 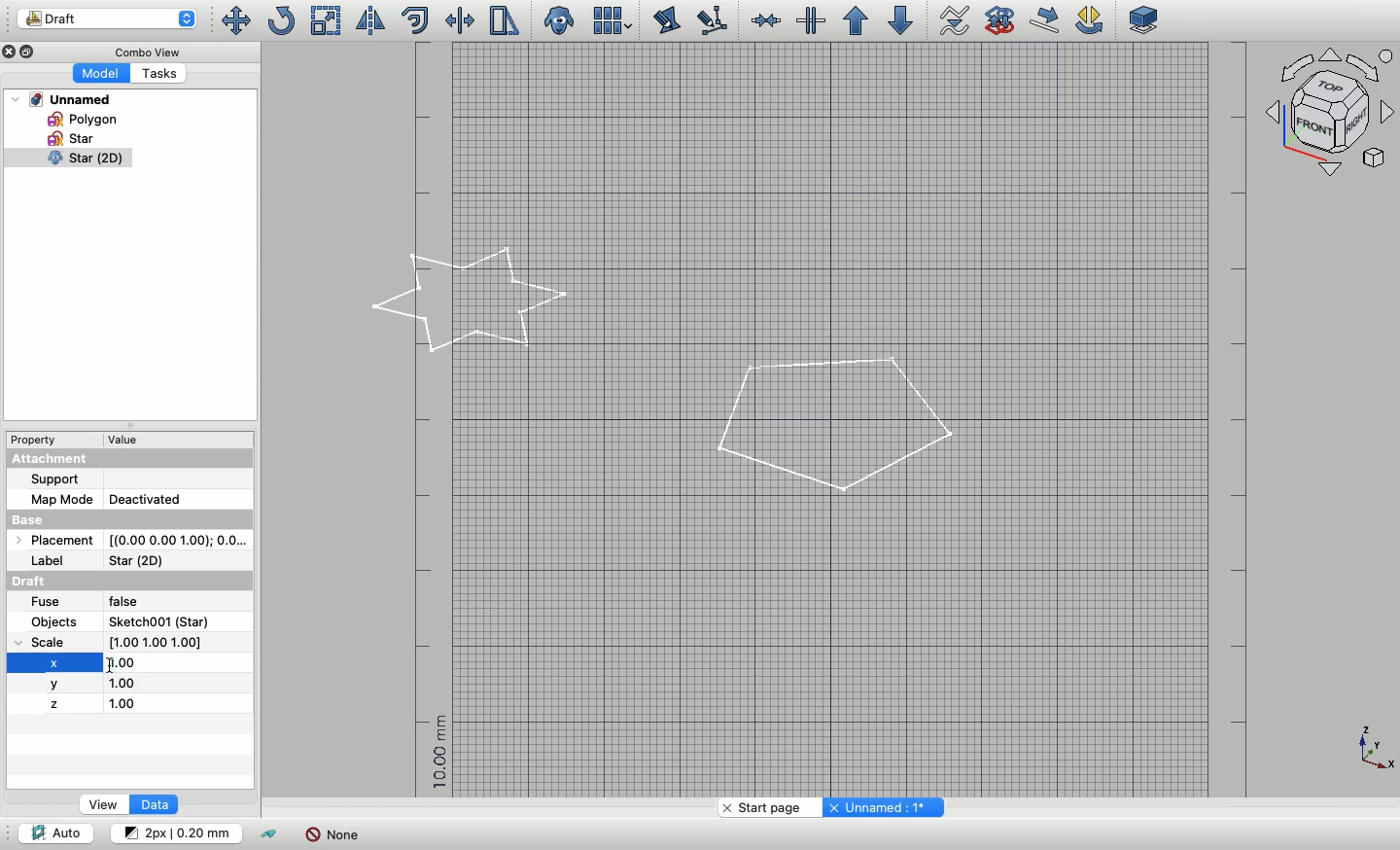 What do you see at coordinates (46, 580) in the screenshot?
I see `Draft` at bounding box center [46, 580].